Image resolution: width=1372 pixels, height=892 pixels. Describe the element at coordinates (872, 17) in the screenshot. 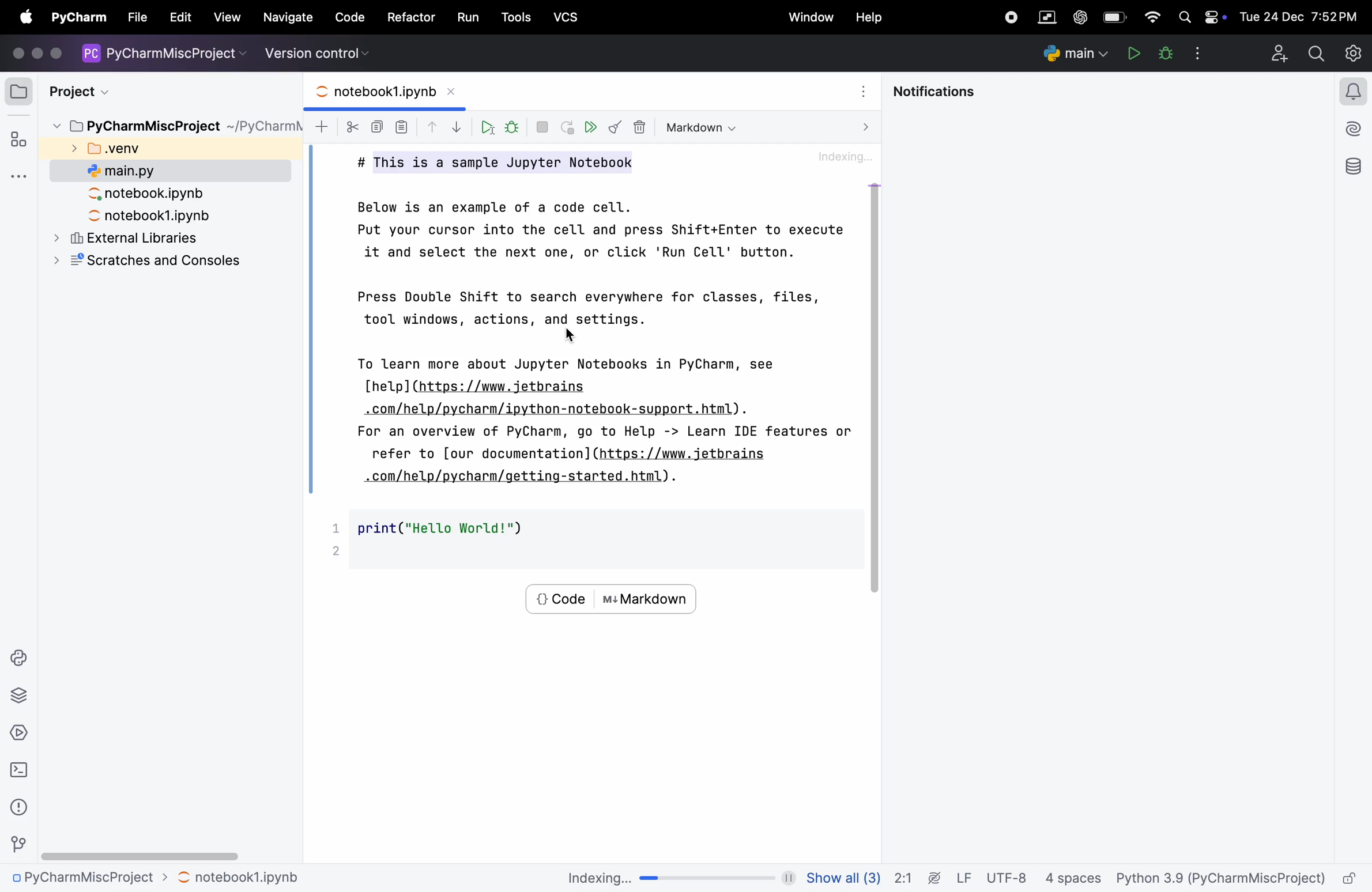

I see `help` at that location.